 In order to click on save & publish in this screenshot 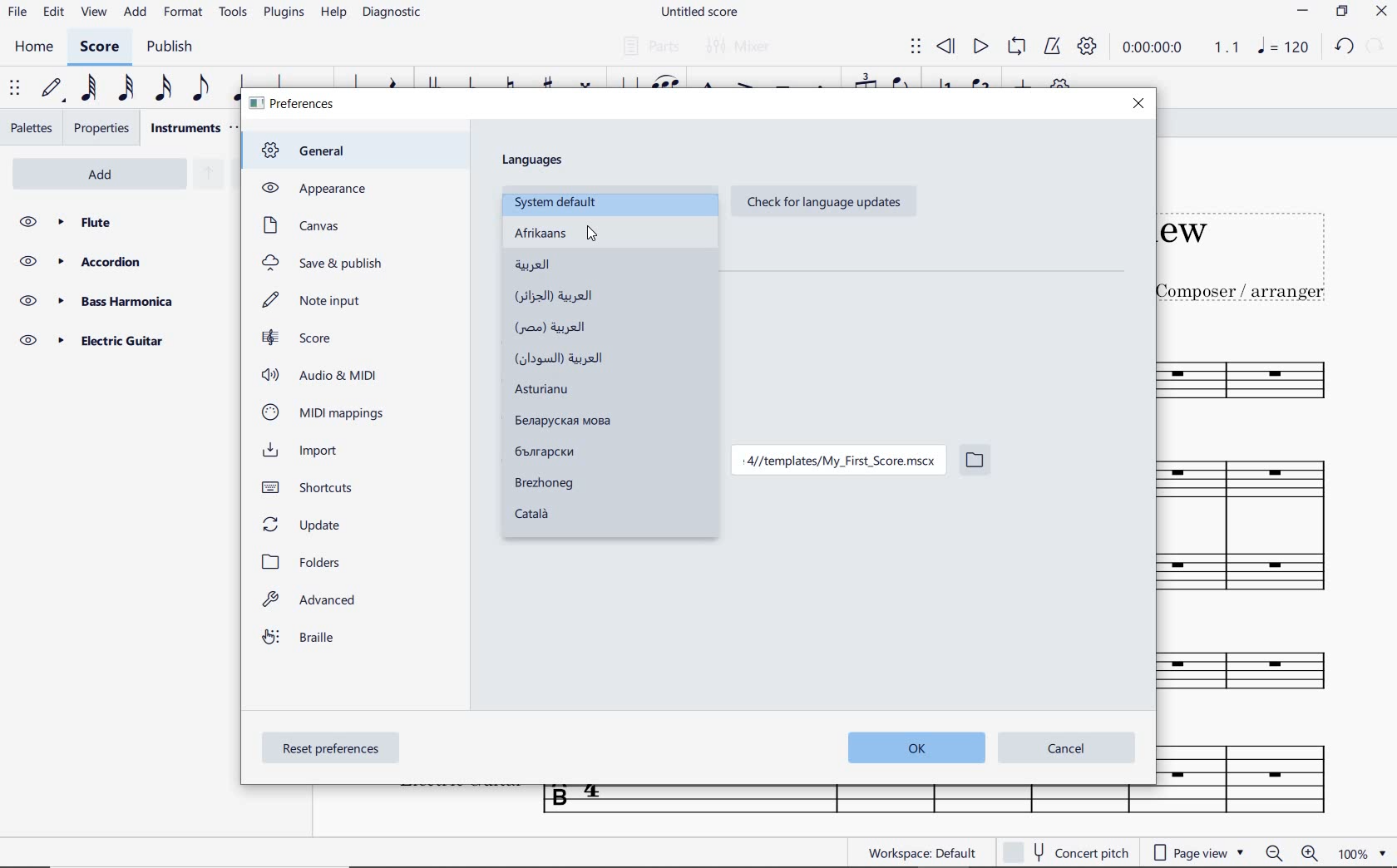, I will do `click(324, 264)`.